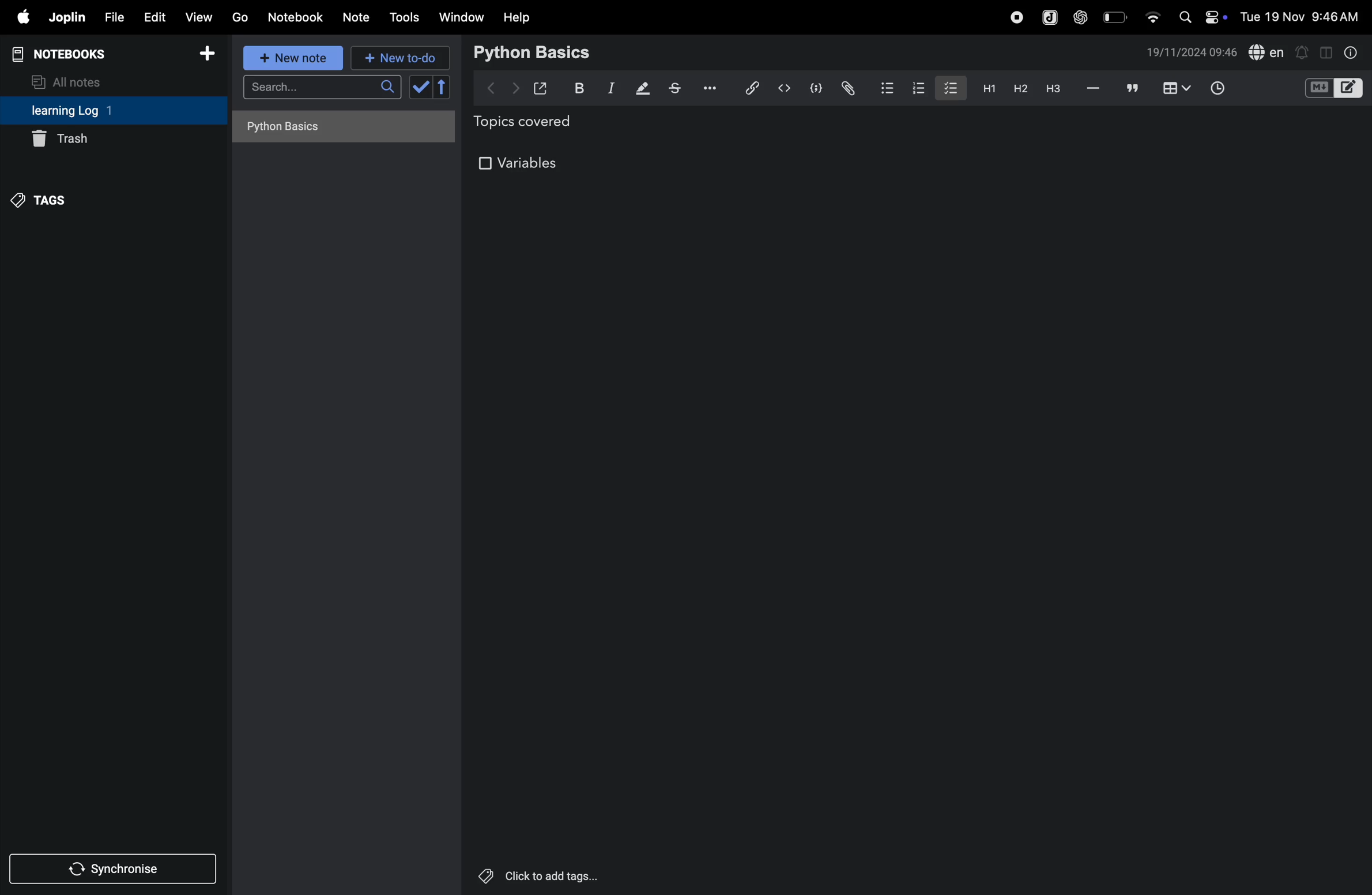  I want to click on new note, so click(290, 58).